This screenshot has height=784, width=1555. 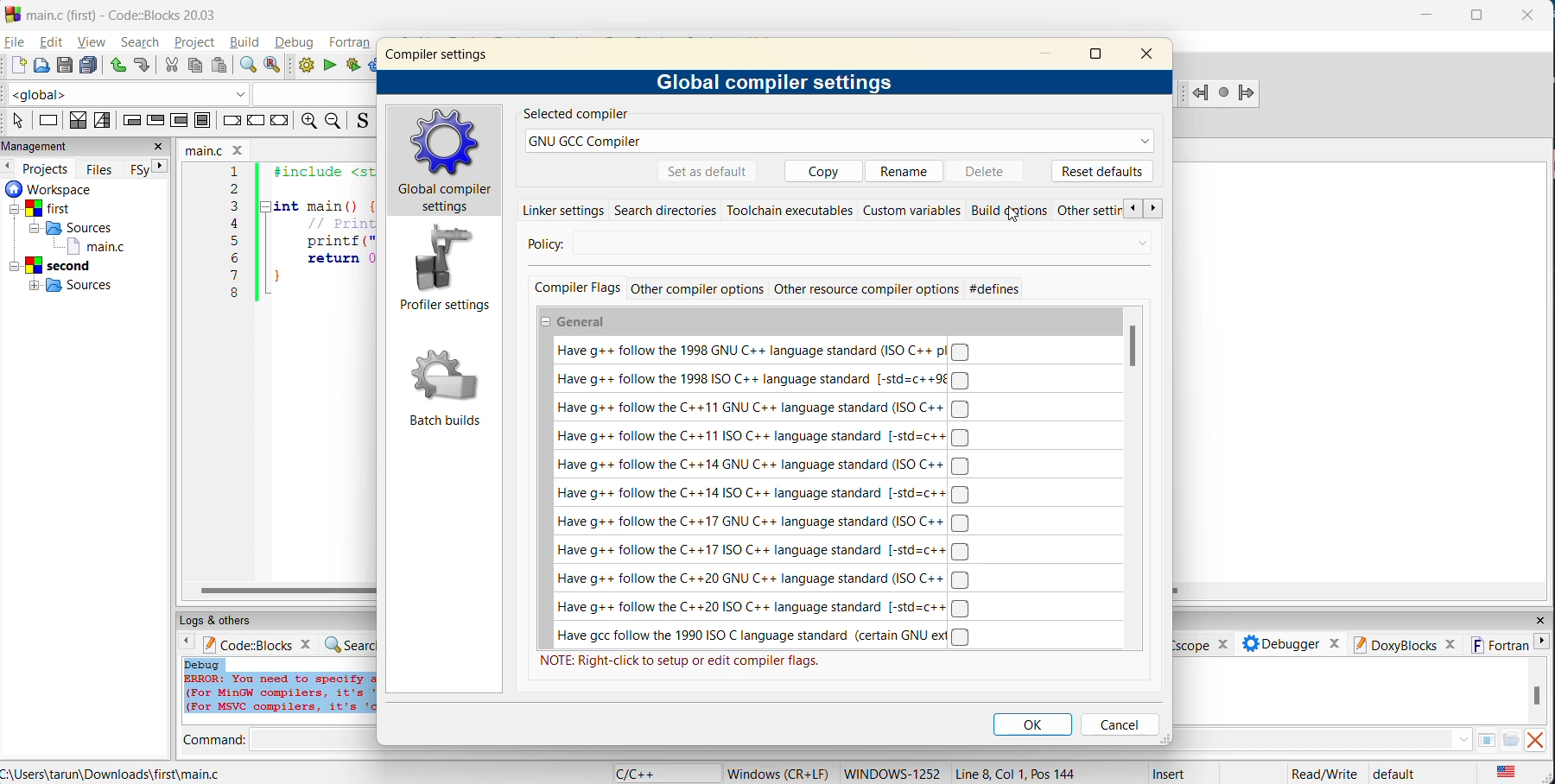 I want to click on maximize, so click(x=1476, y=15).